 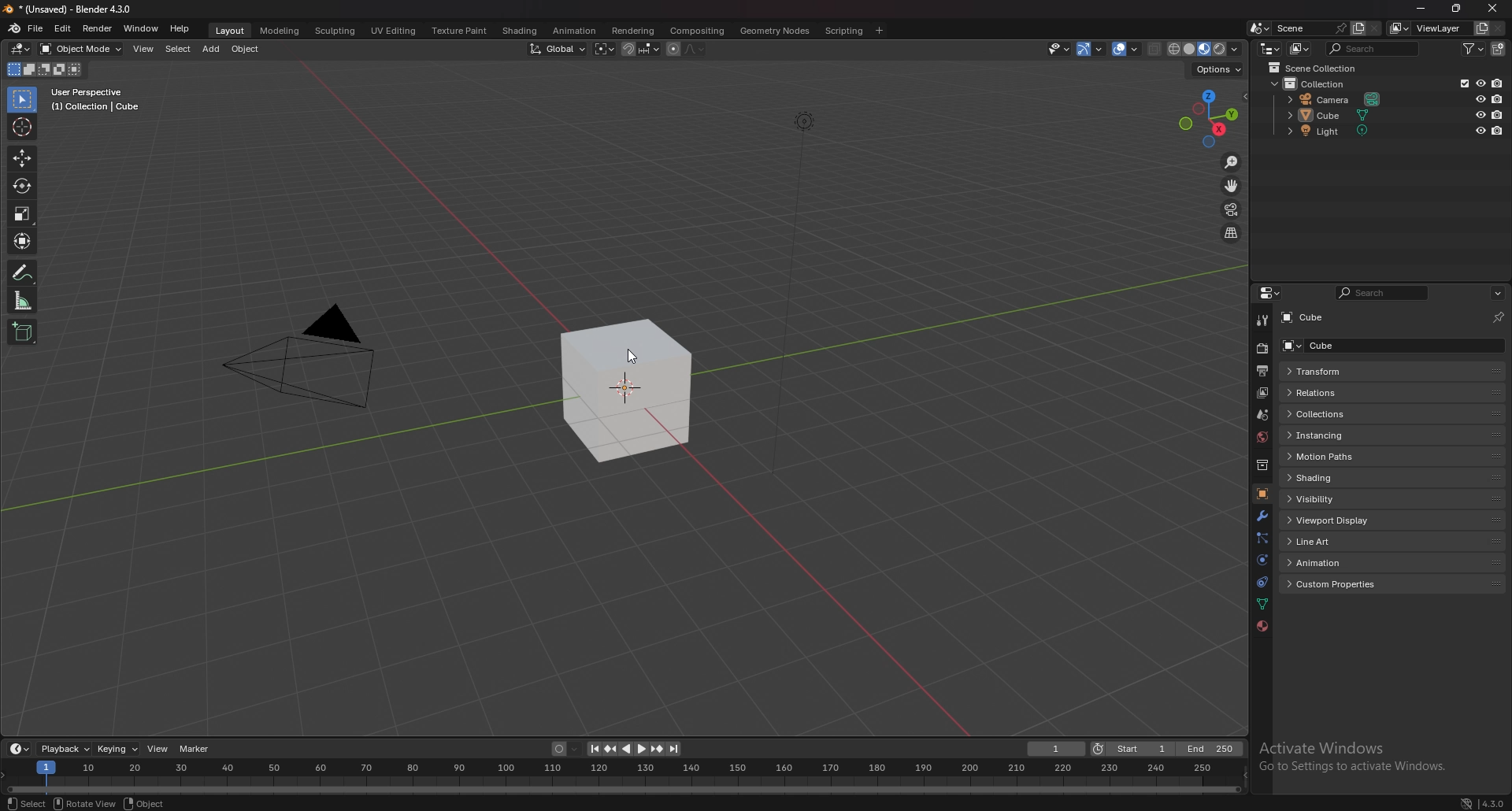 What do you see at coordinates (575, 31) in the screenshot?
I see `animation` at bounding box center [575, 31].